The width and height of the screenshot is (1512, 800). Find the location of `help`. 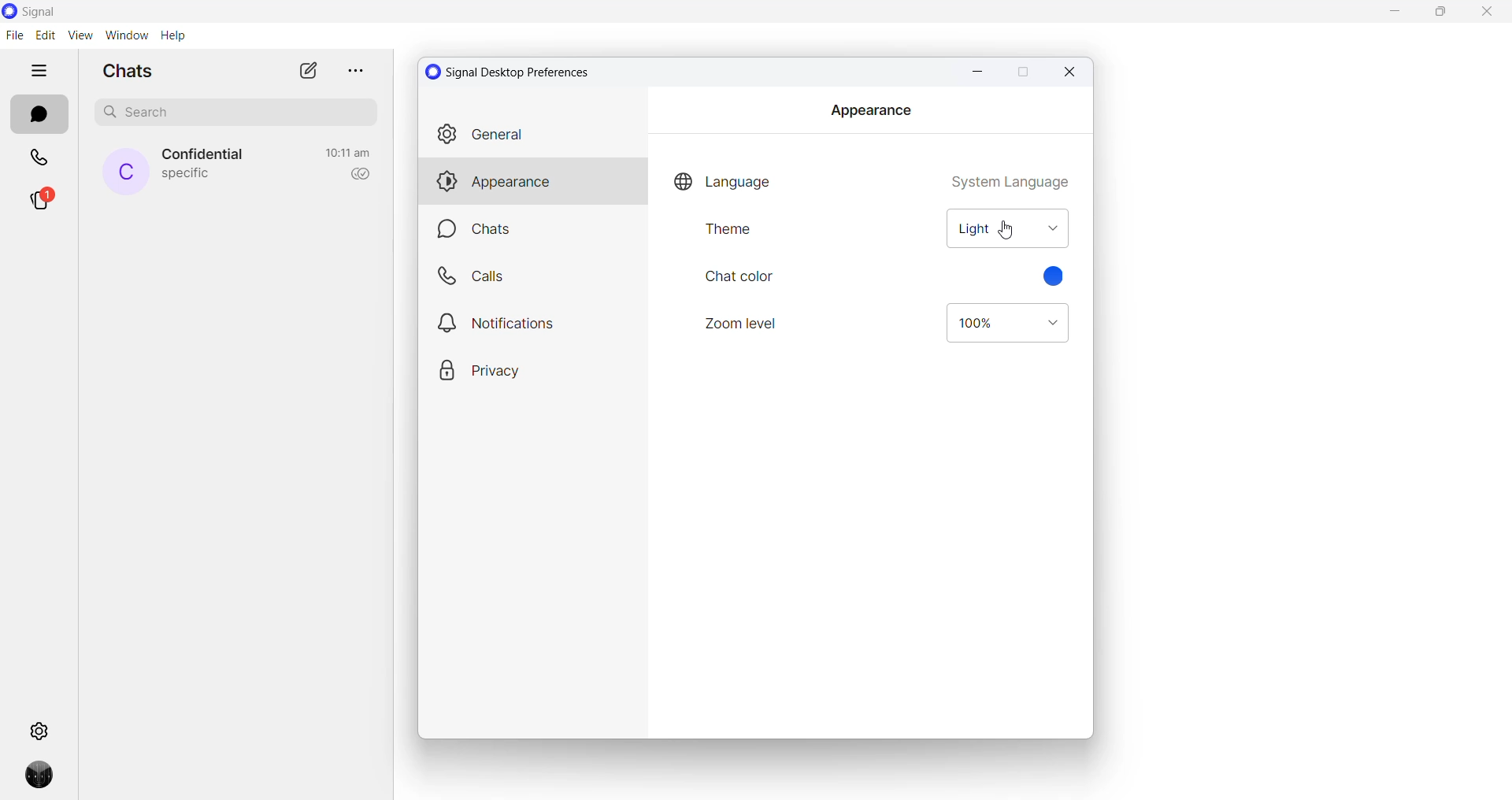

help is located at coordinates (172, 36).